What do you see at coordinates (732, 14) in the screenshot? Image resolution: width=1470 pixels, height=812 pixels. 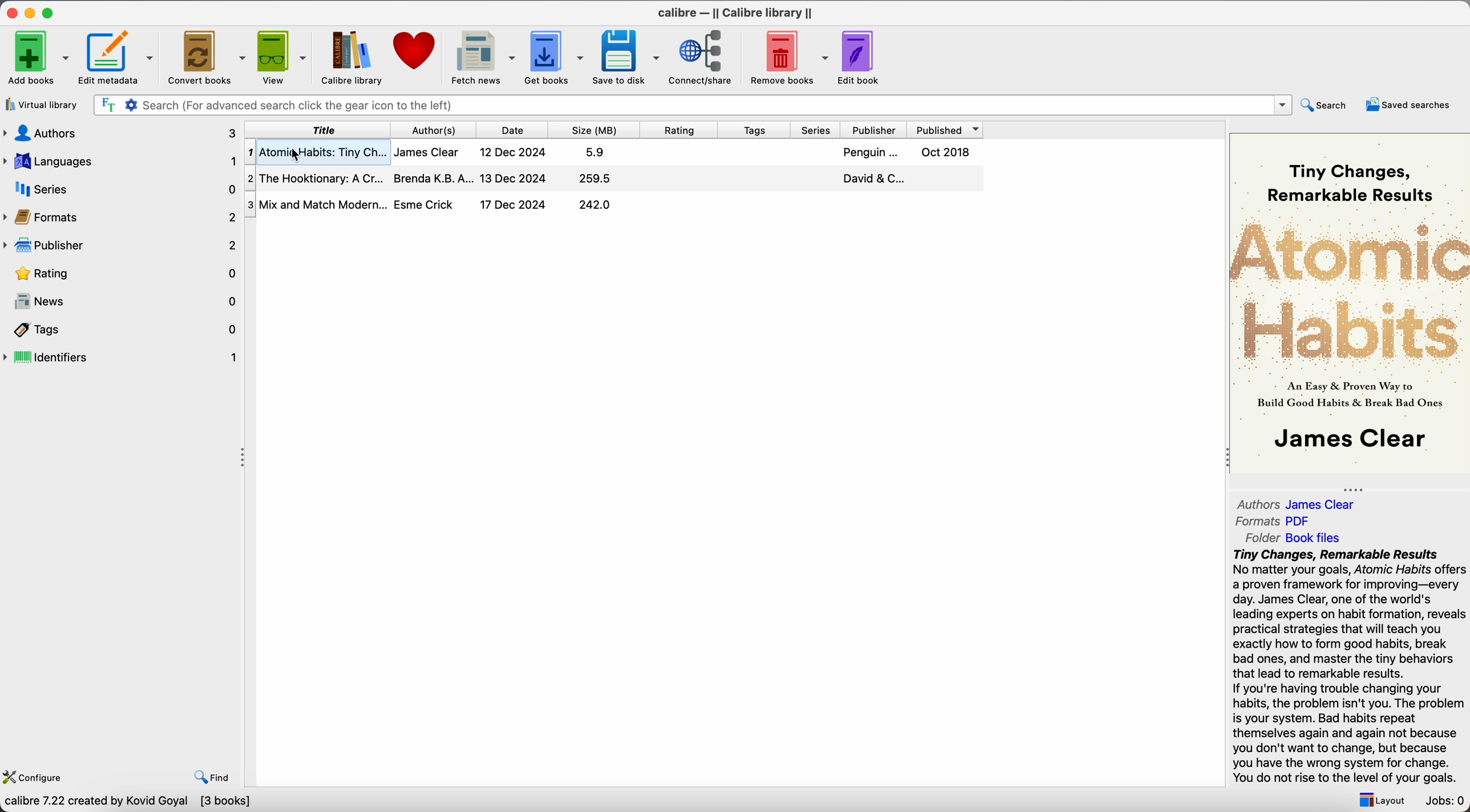 I see `Calibre - || Calibre library ||` at bounding box center [732, 14].